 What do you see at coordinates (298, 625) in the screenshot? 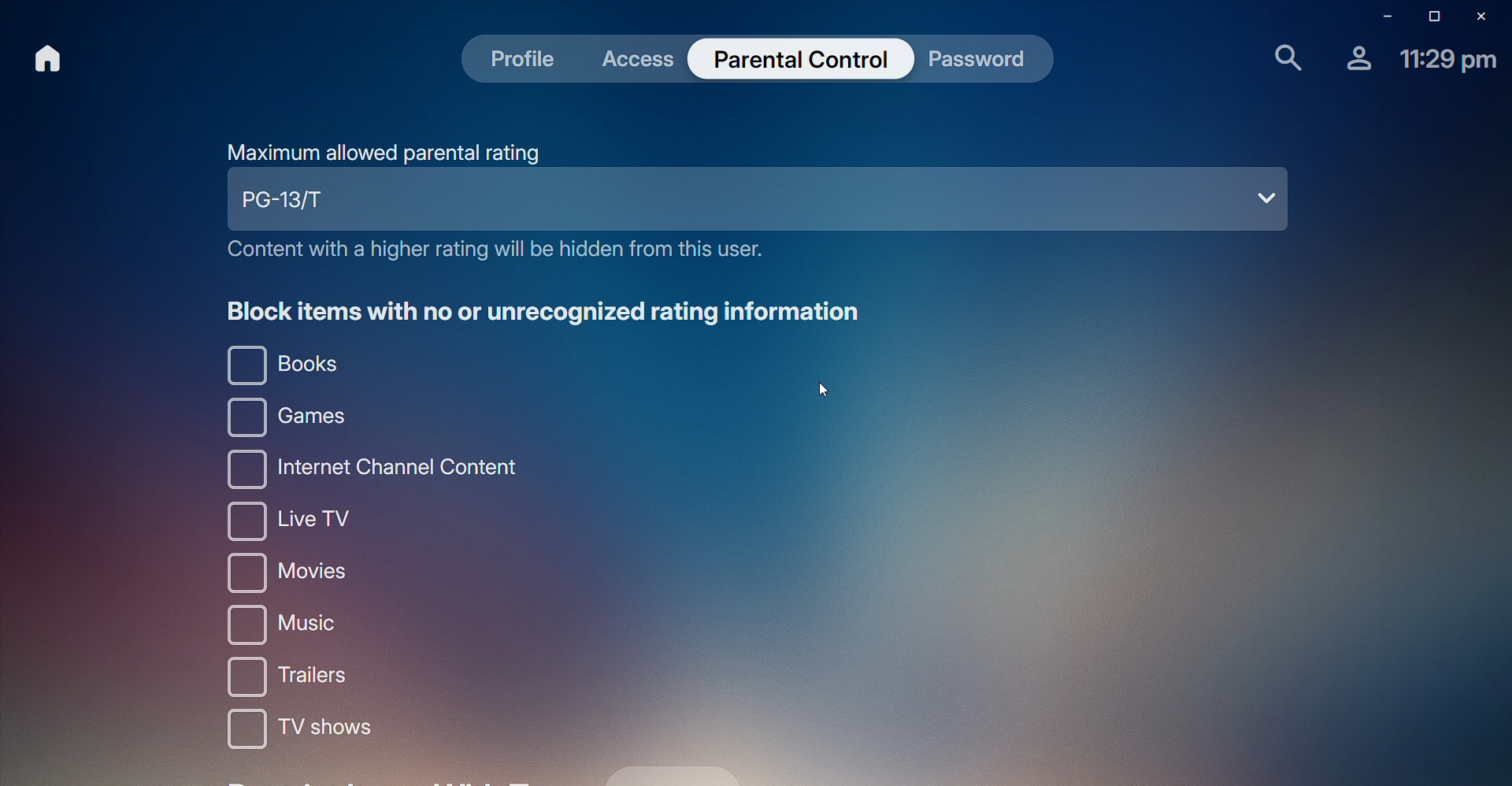
I see `Music` at bounding box center [298, 625].